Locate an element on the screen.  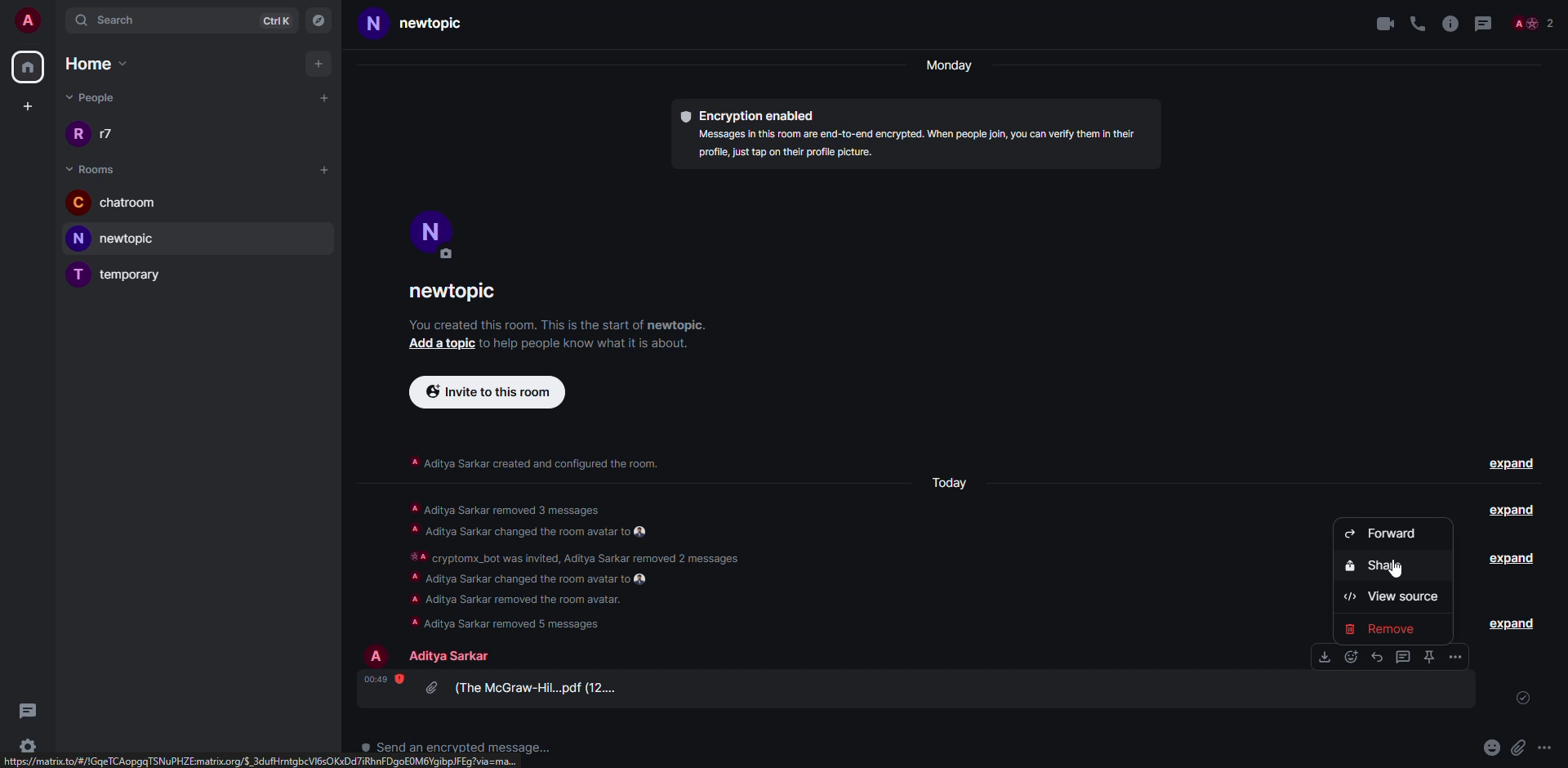
options is located at coordinates (1405, 657).